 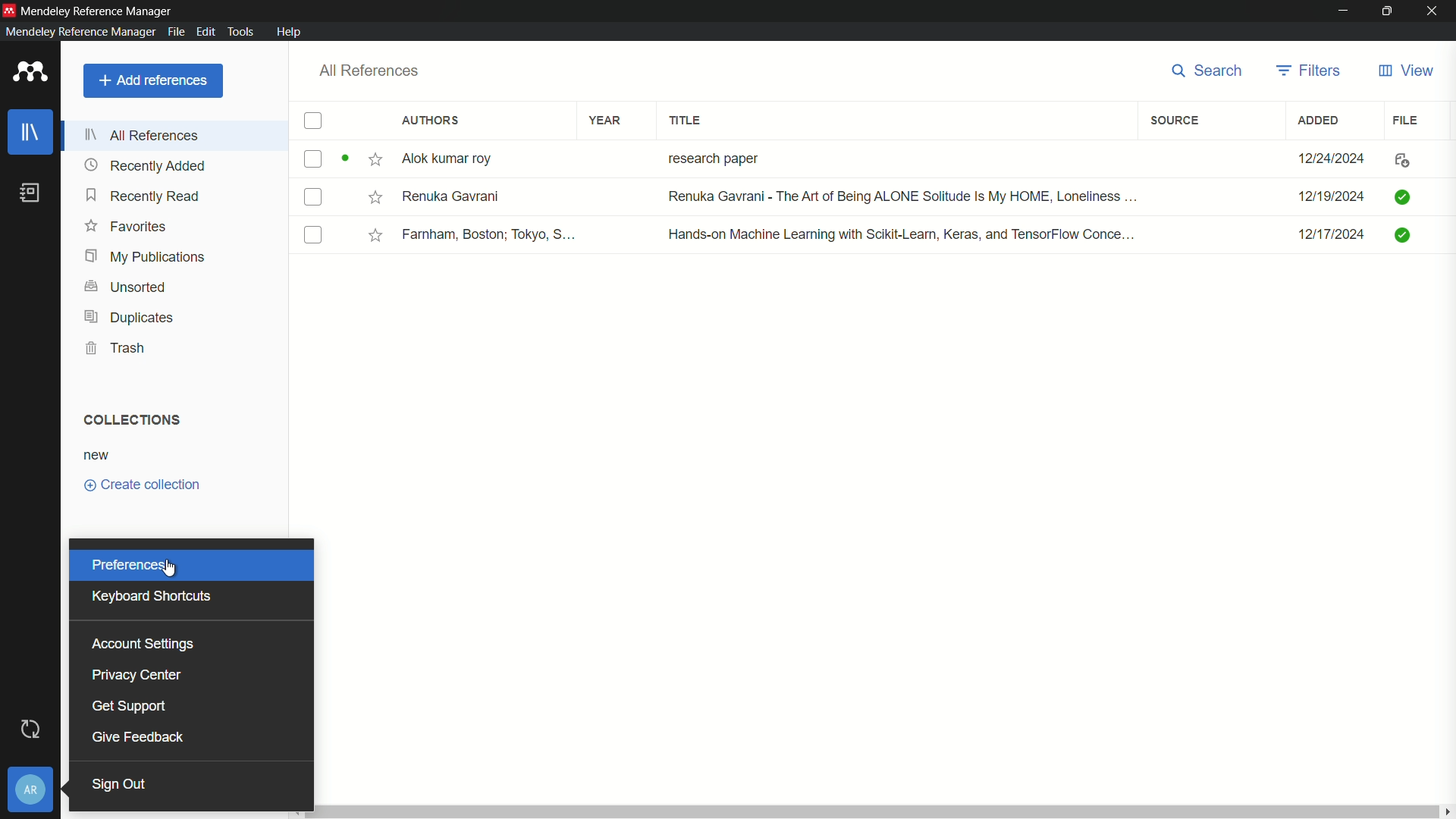 I want to click on tools menu, so click(x=244, y=32).